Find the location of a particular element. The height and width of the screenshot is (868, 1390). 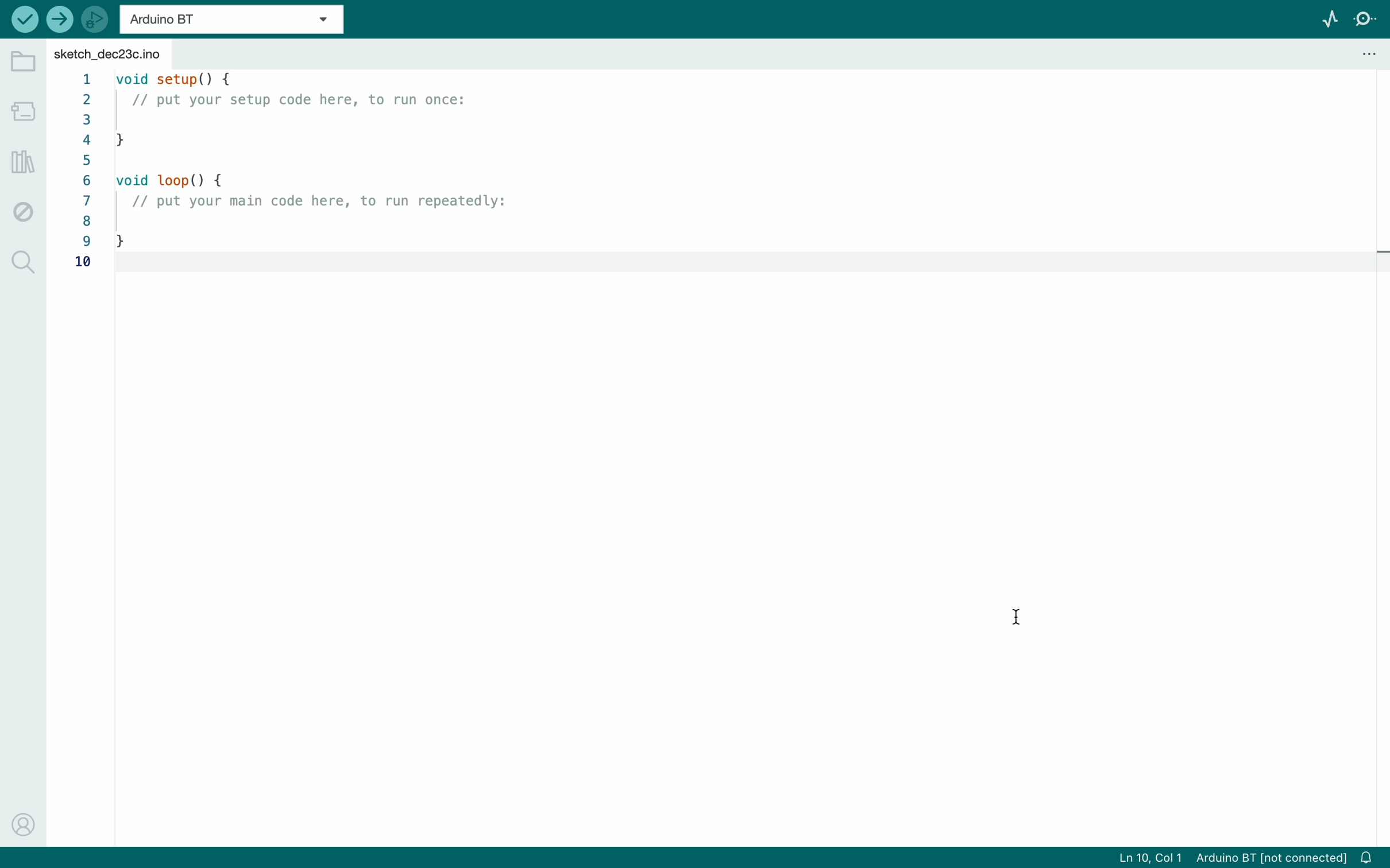

serial monitor is located at coordinates (1368, 18).